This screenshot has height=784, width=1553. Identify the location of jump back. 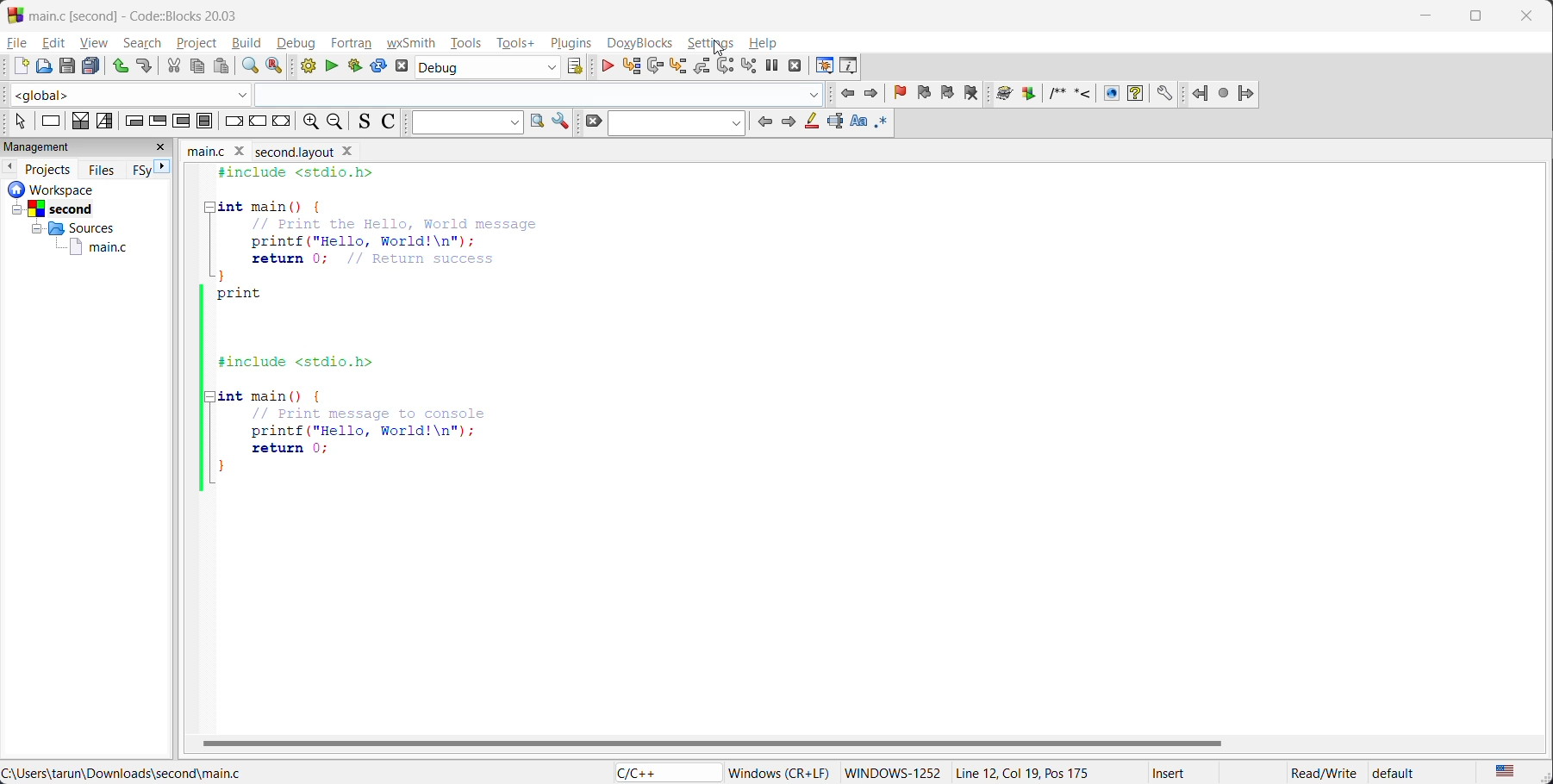
(843, 92).